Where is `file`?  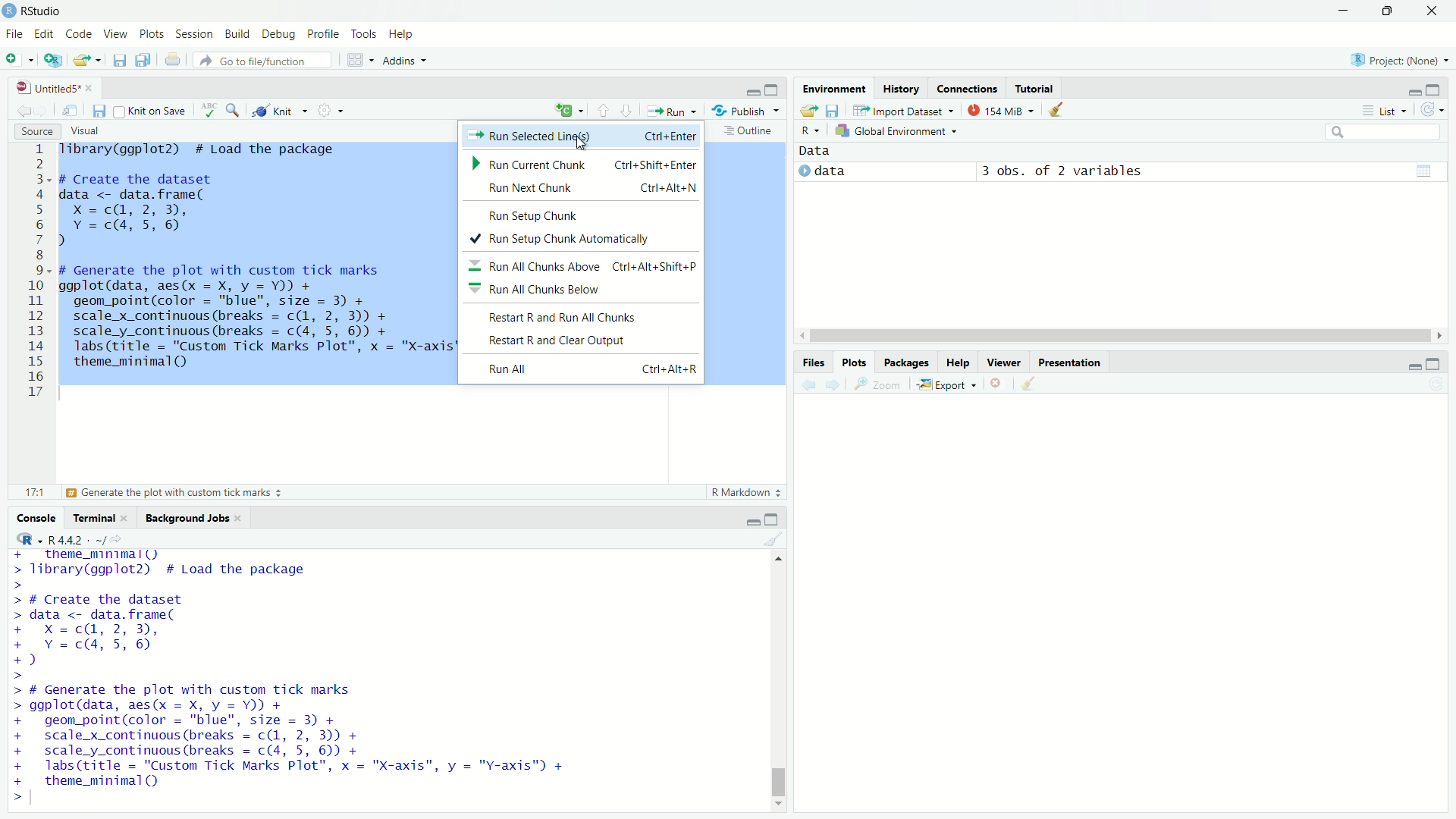
file is located at coordinates (14, 35).